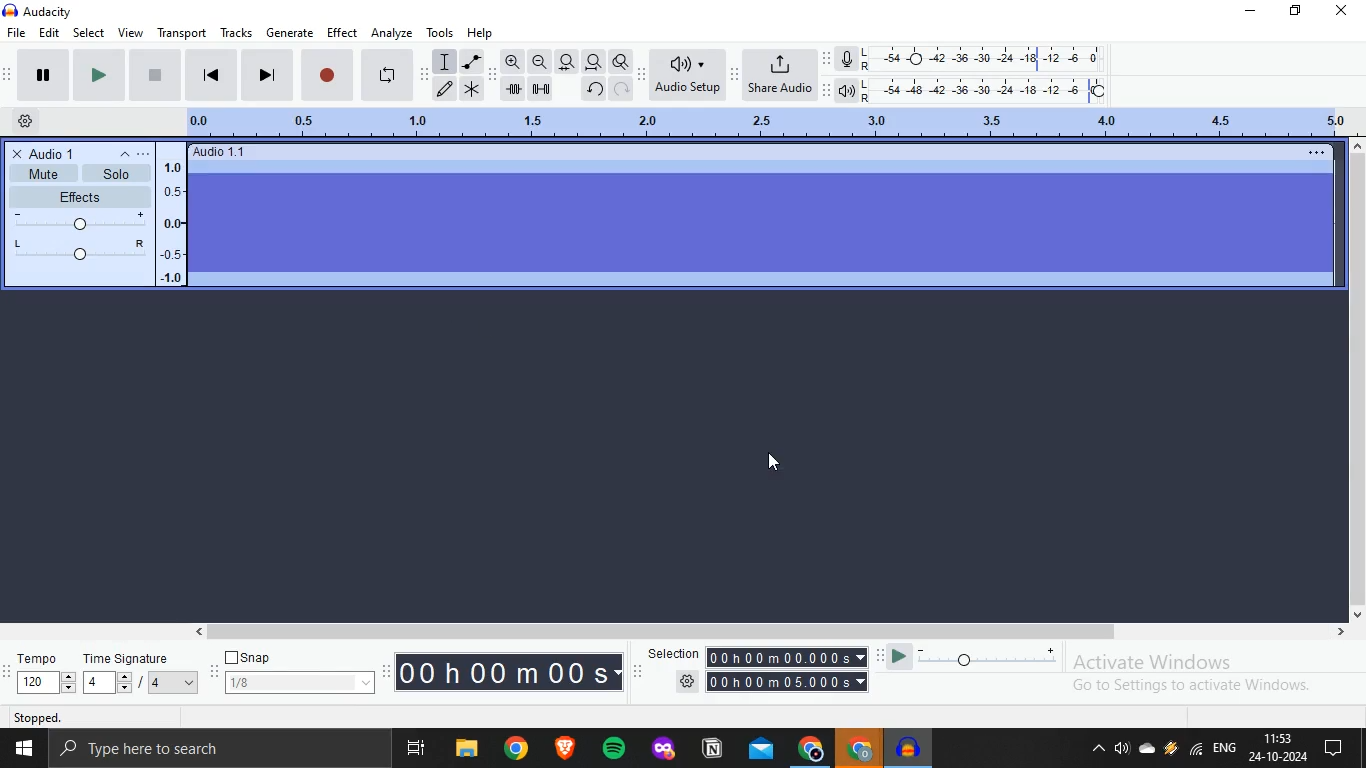 The image size is (1366, 768). I want to click on Snap, so click(251, 657).